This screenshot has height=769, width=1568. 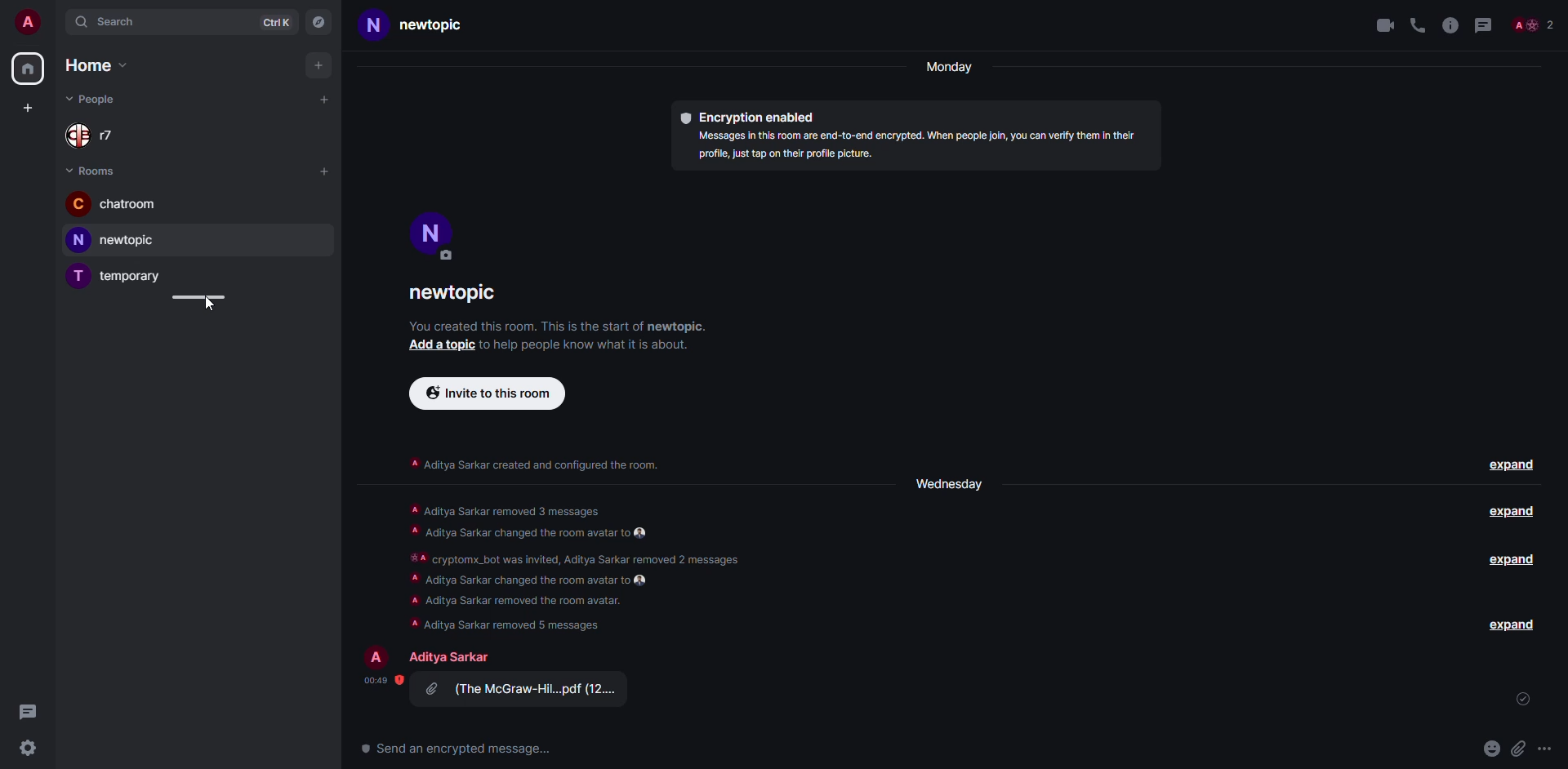 What do you see at coordinates (213, 310) in the screenshot?
I see `cursor` at bounding box center [213, 310].